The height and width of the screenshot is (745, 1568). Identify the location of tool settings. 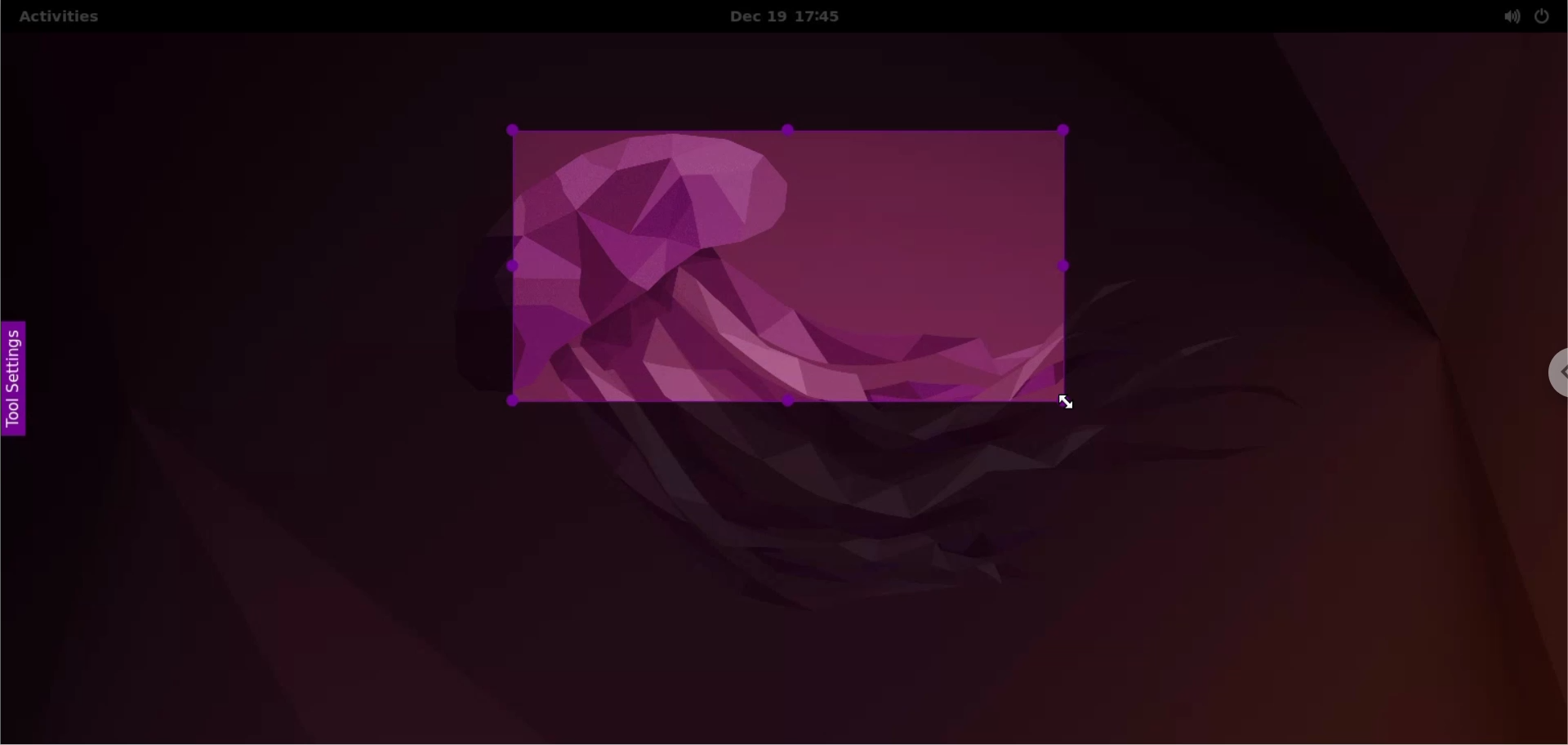
(23, 386).